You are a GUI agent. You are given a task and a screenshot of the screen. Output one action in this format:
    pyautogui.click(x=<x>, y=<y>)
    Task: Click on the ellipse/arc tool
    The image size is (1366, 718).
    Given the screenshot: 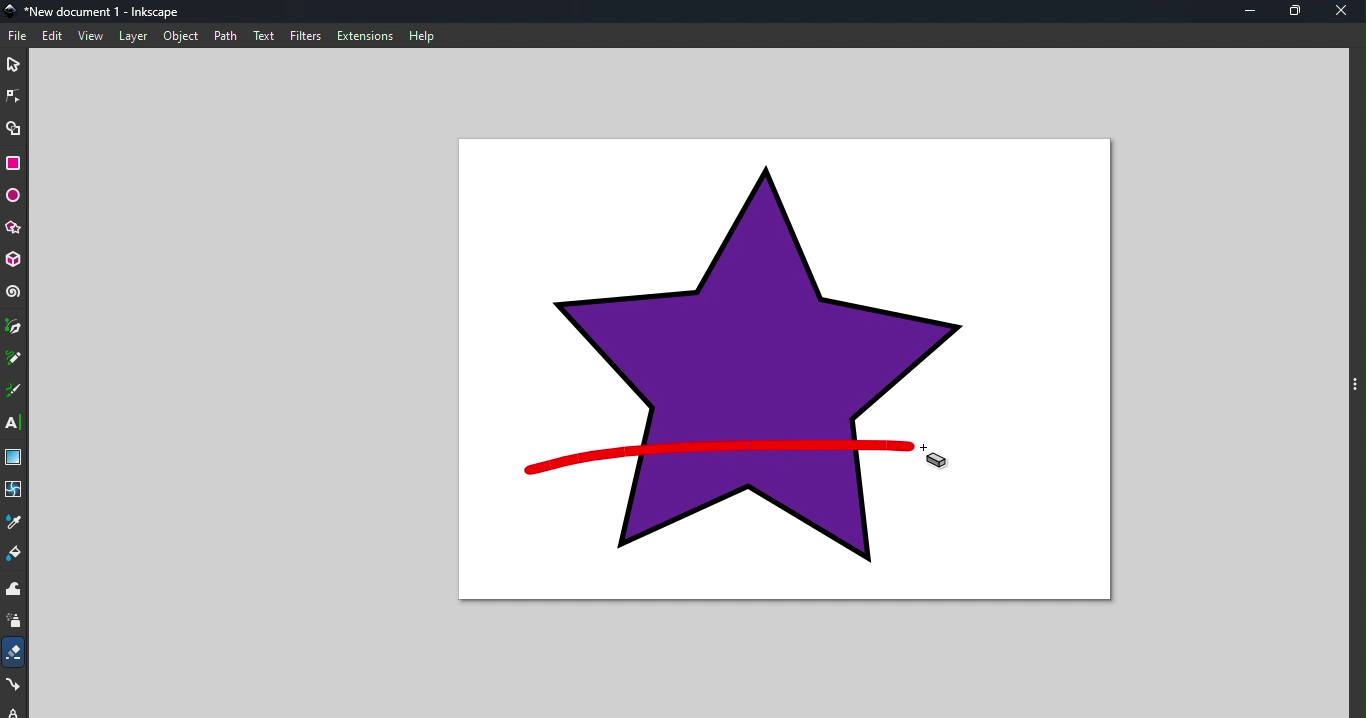 What is the action you would take?
    pyautogui.click(x=13, y=196)
    